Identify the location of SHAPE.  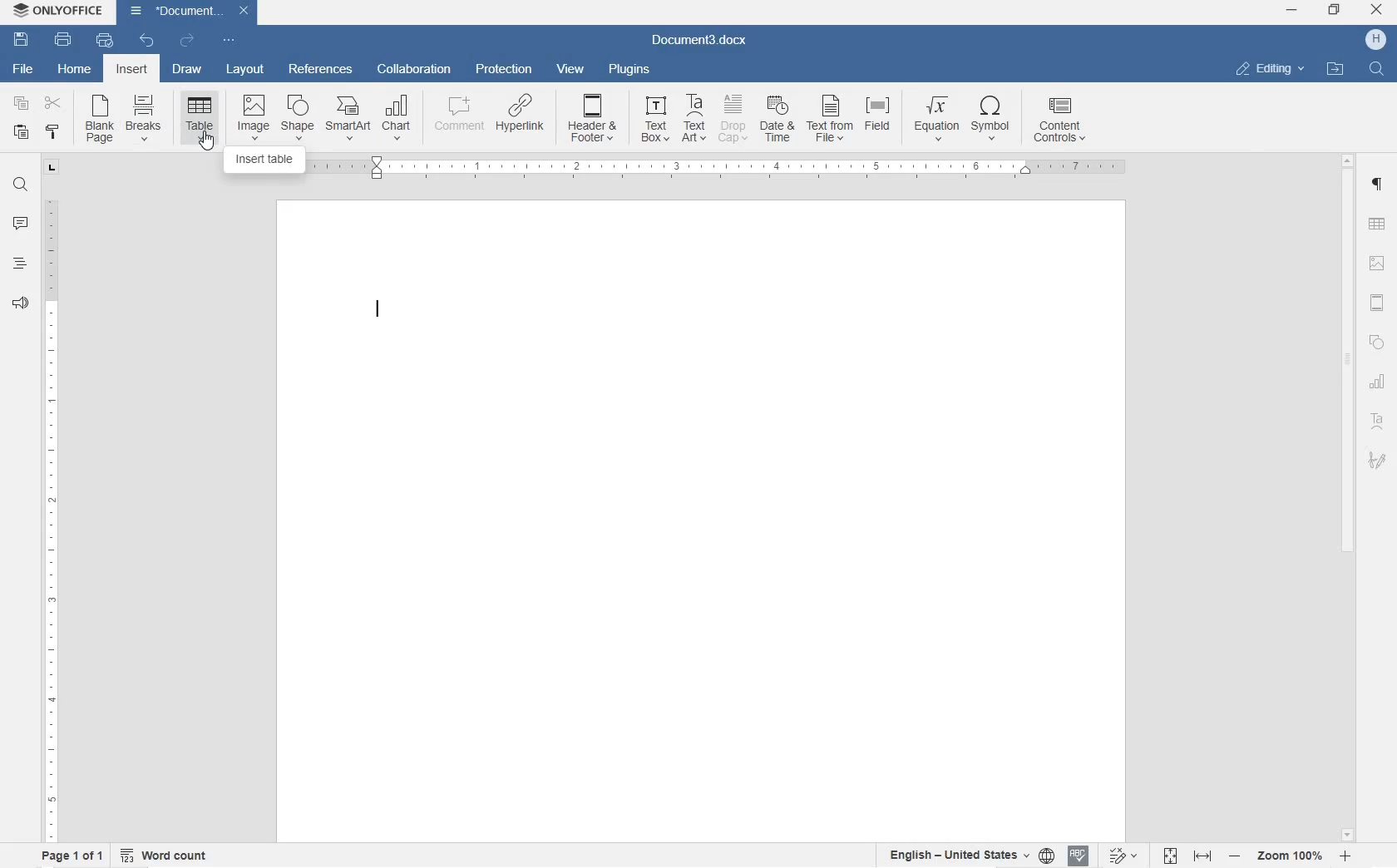
(1375, 345).